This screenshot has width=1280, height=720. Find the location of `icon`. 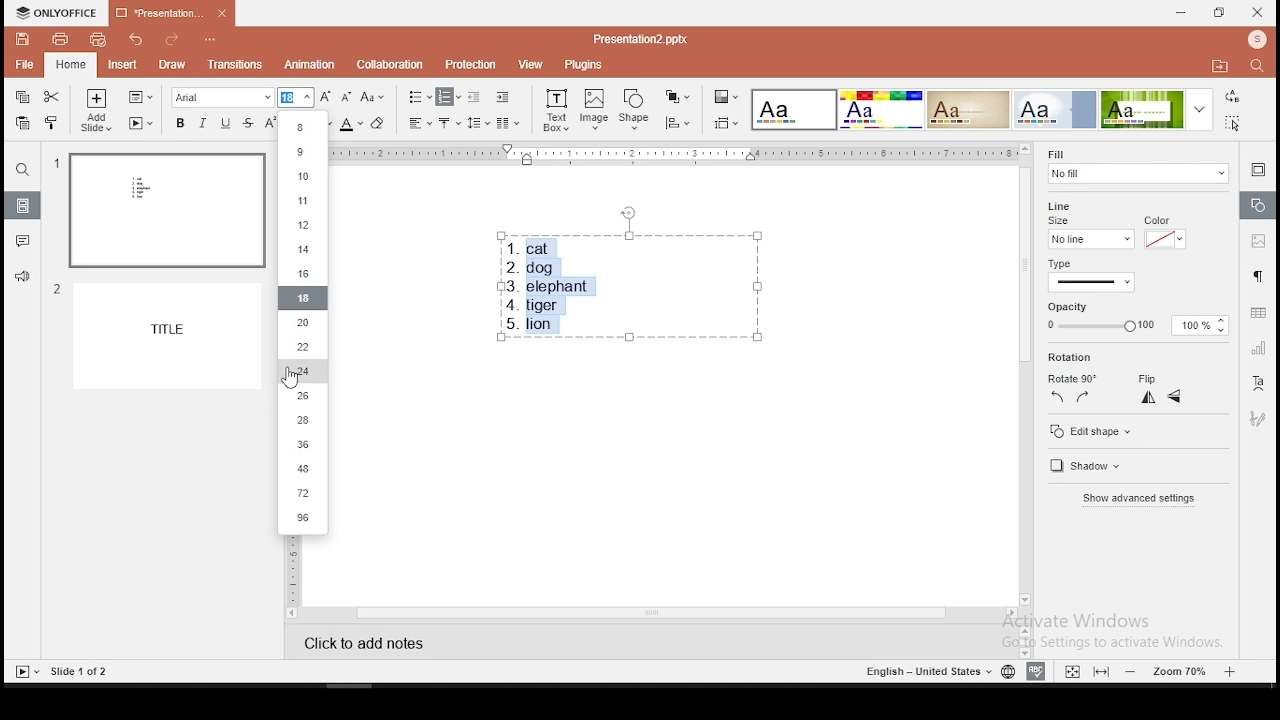

icon is located at coordinates (58, 13).